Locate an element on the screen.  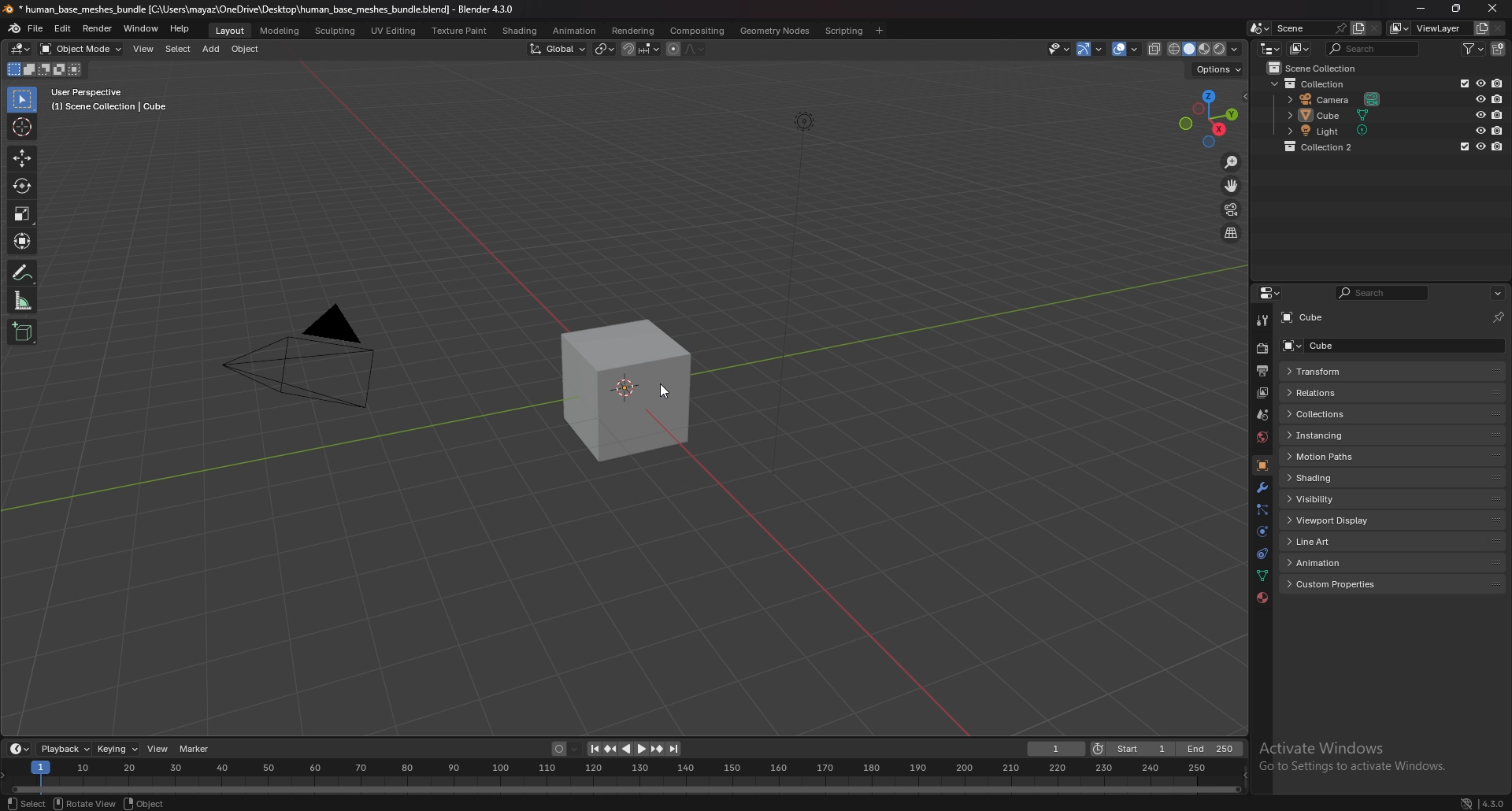
window is located at coordinates (142, 29).